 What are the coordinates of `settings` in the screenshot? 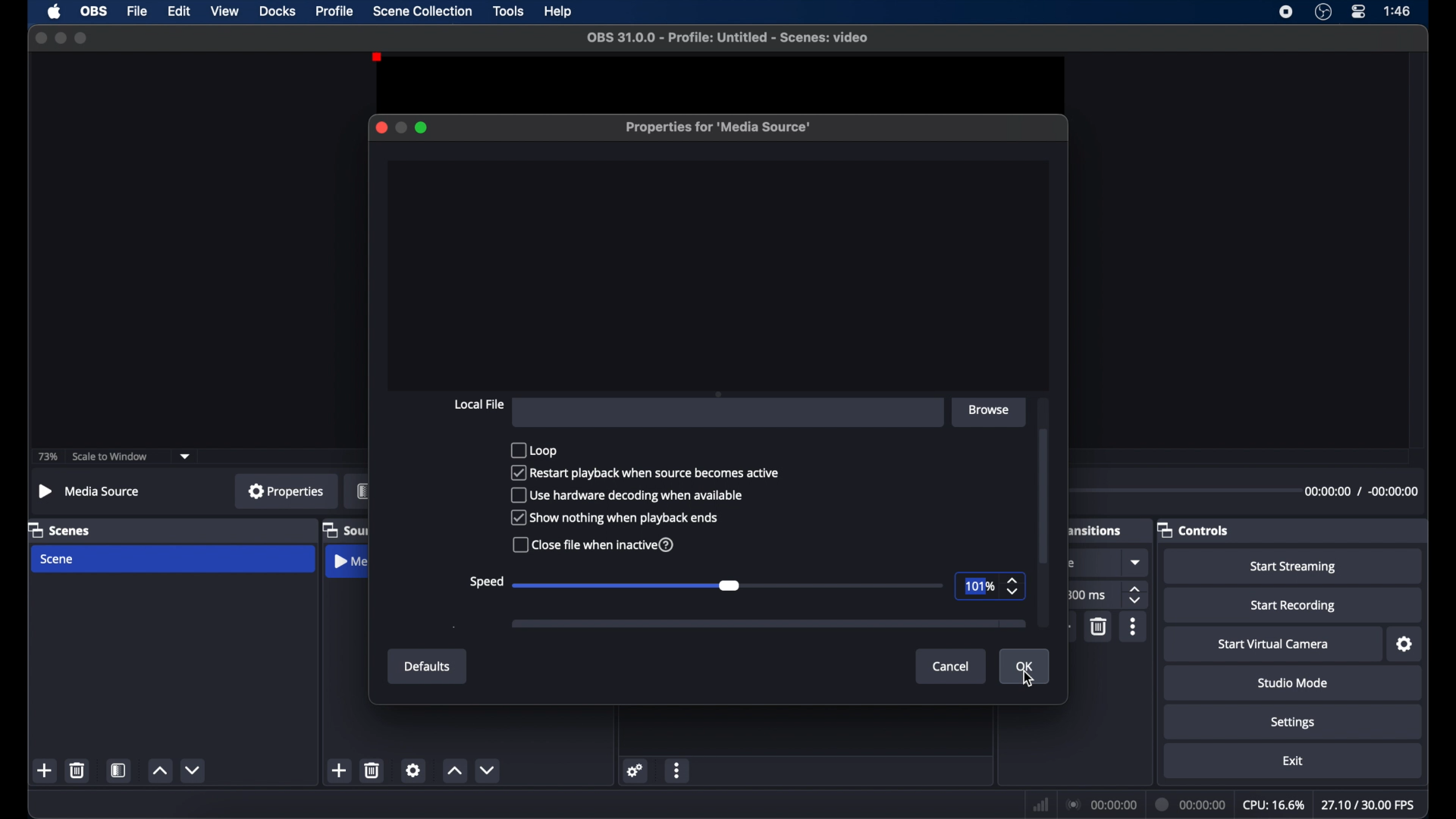 It's located at (1294, 723).